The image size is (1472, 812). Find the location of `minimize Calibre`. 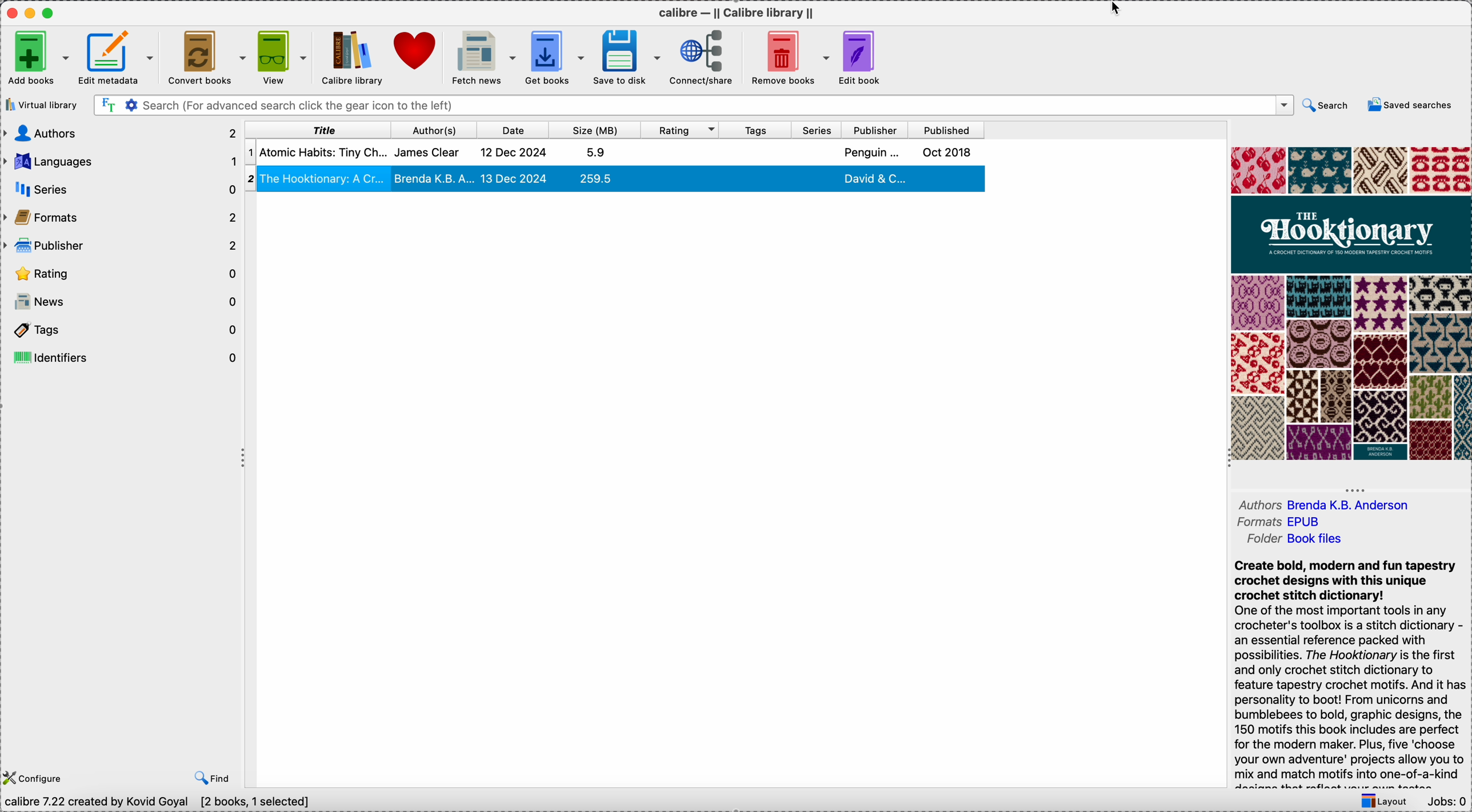

minimize Calibre is located at coordinates (32, 13).